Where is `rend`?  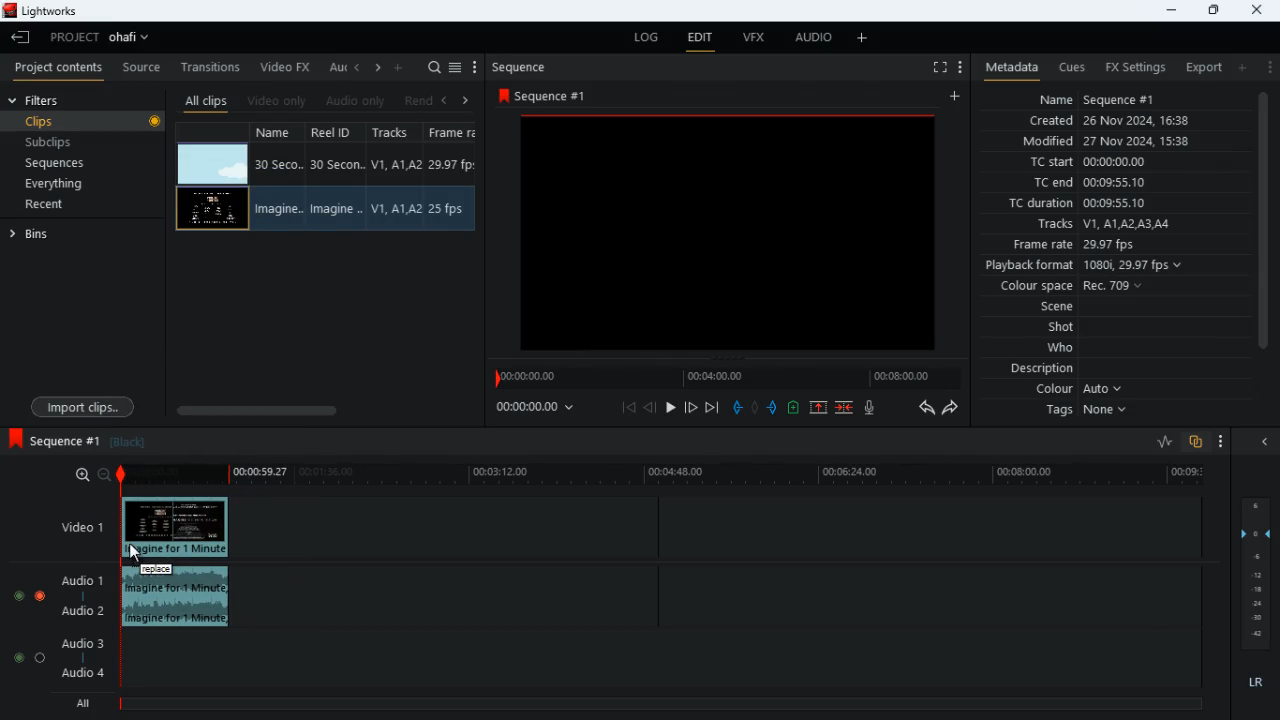
rend is located at coordinates (418, 99).